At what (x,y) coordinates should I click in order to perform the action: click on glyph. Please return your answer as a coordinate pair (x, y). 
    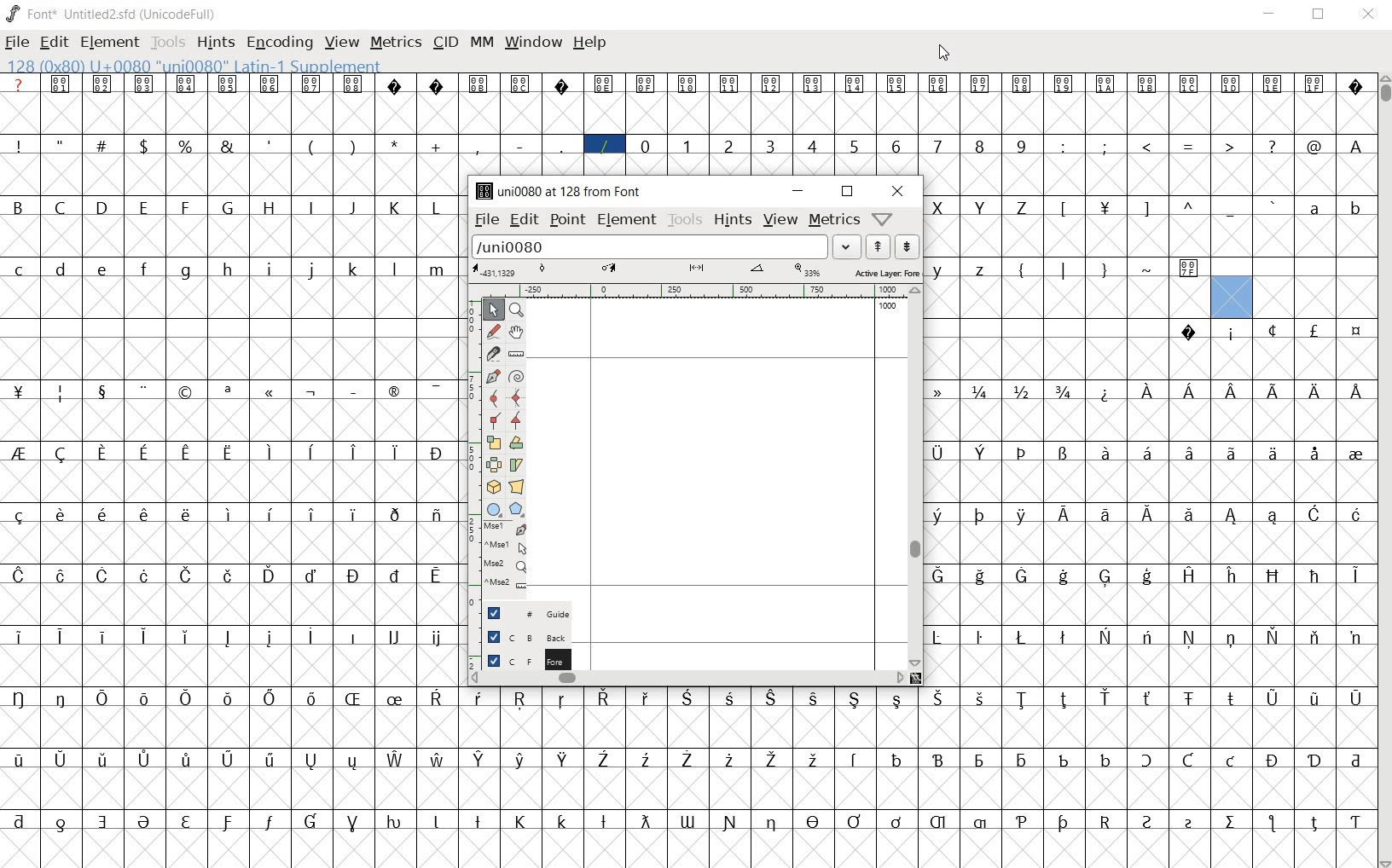
    Looking at the image, I should click on (604, 697).